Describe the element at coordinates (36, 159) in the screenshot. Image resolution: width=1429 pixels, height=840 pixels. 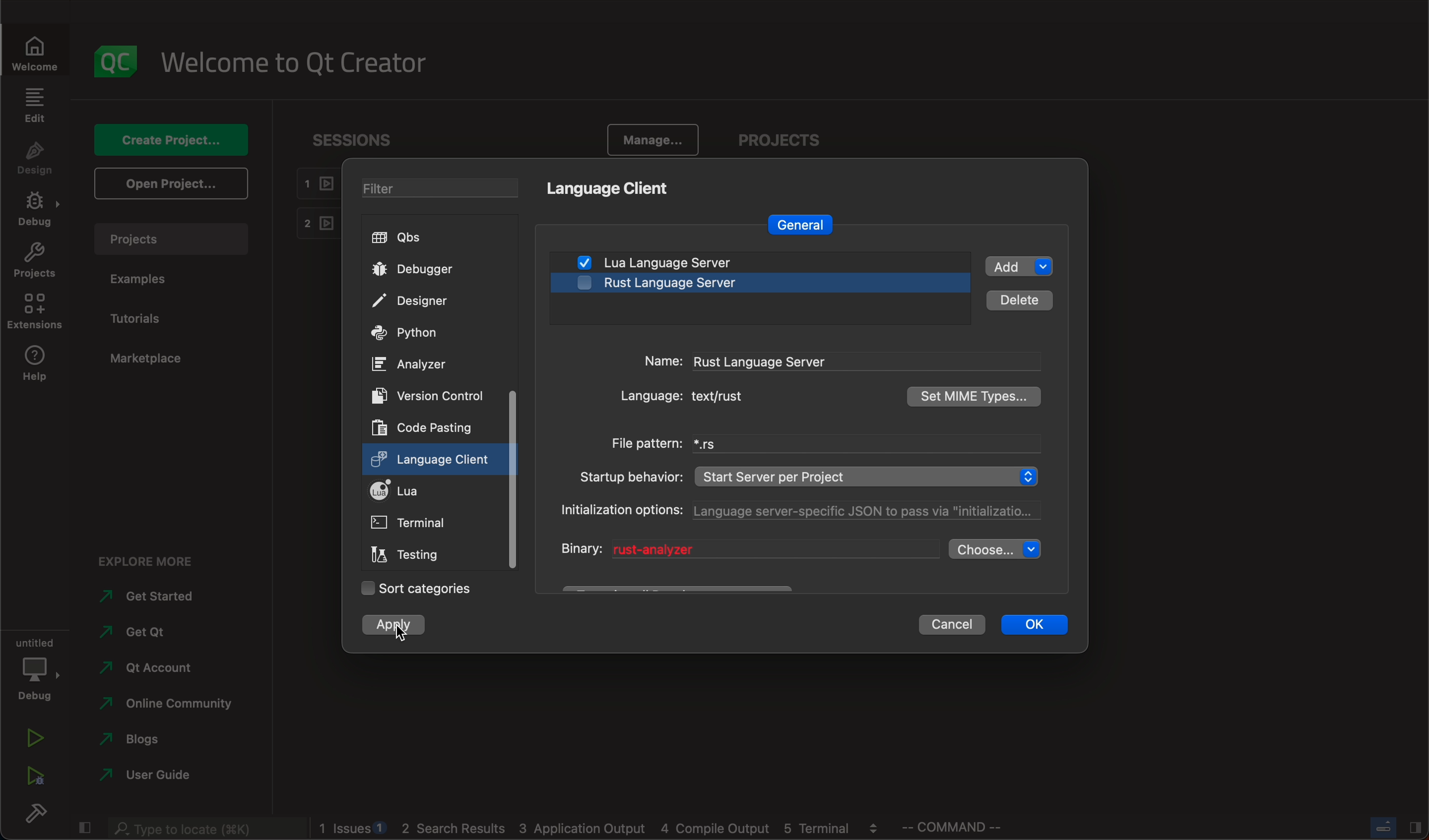
I see `design` at that location.